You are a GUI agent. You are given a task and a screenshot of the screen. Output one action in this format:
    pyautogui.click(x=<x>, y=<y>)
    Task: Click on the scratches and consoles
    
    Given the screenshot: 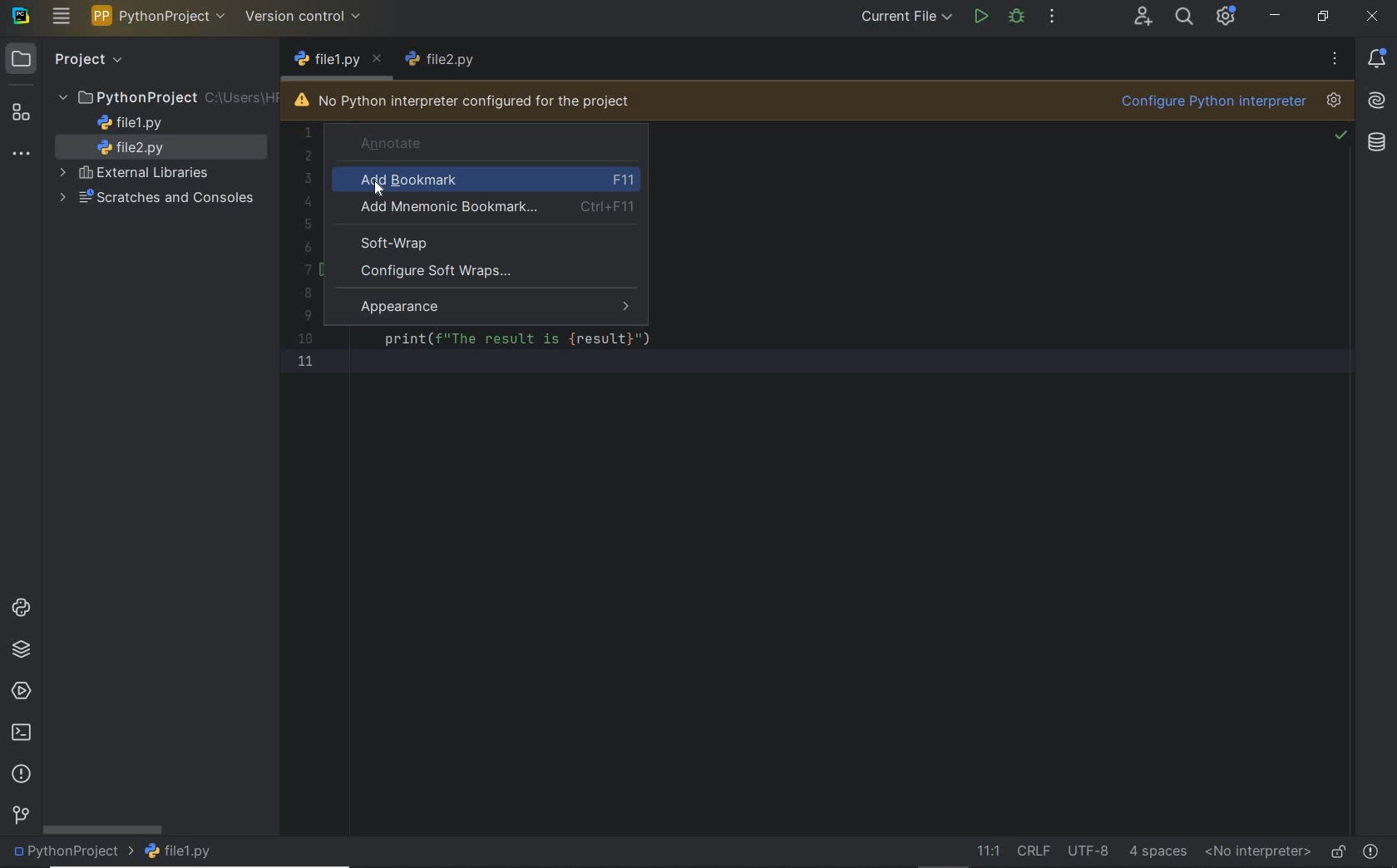 What is the action you would take?
    pyautogui.click(x=160, y=199)
    